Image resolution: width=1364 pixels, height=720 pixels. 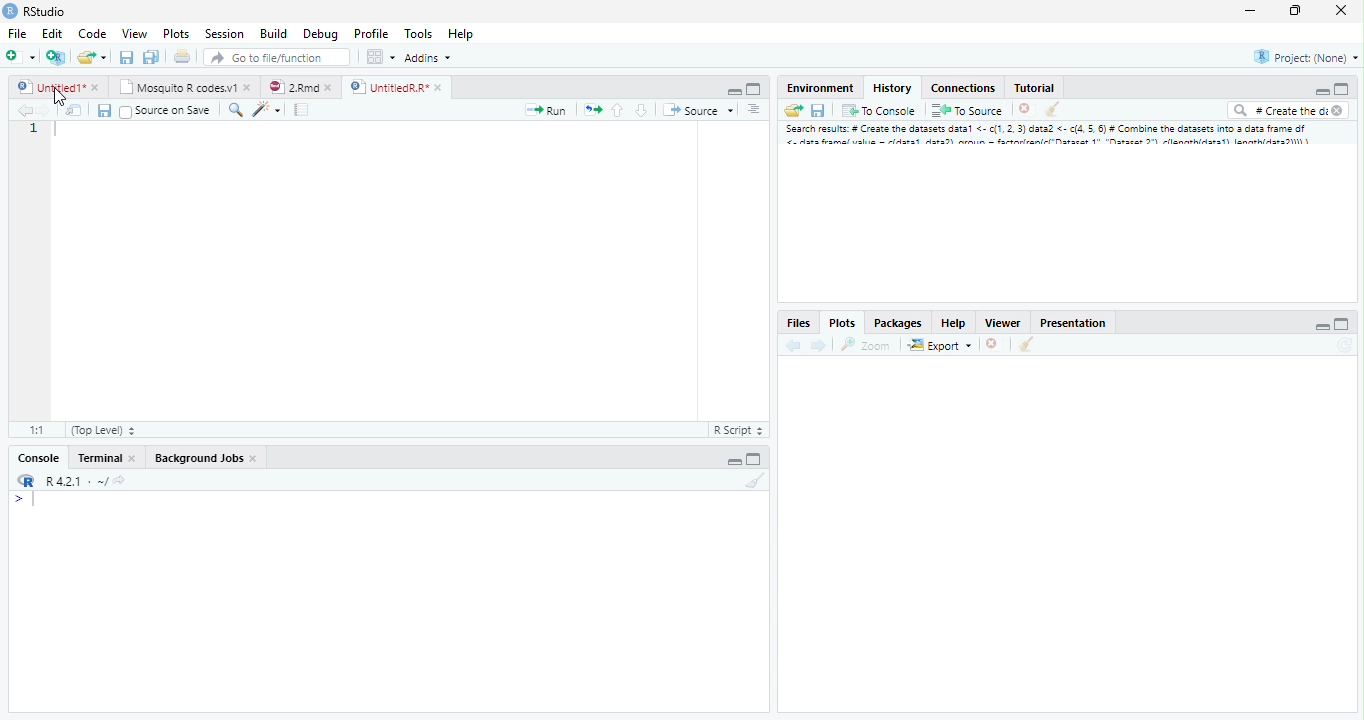 What do you see at coordinates (1344, 323) in the screenshot?
I see `Maximize` at bounding box center [1344, 323].